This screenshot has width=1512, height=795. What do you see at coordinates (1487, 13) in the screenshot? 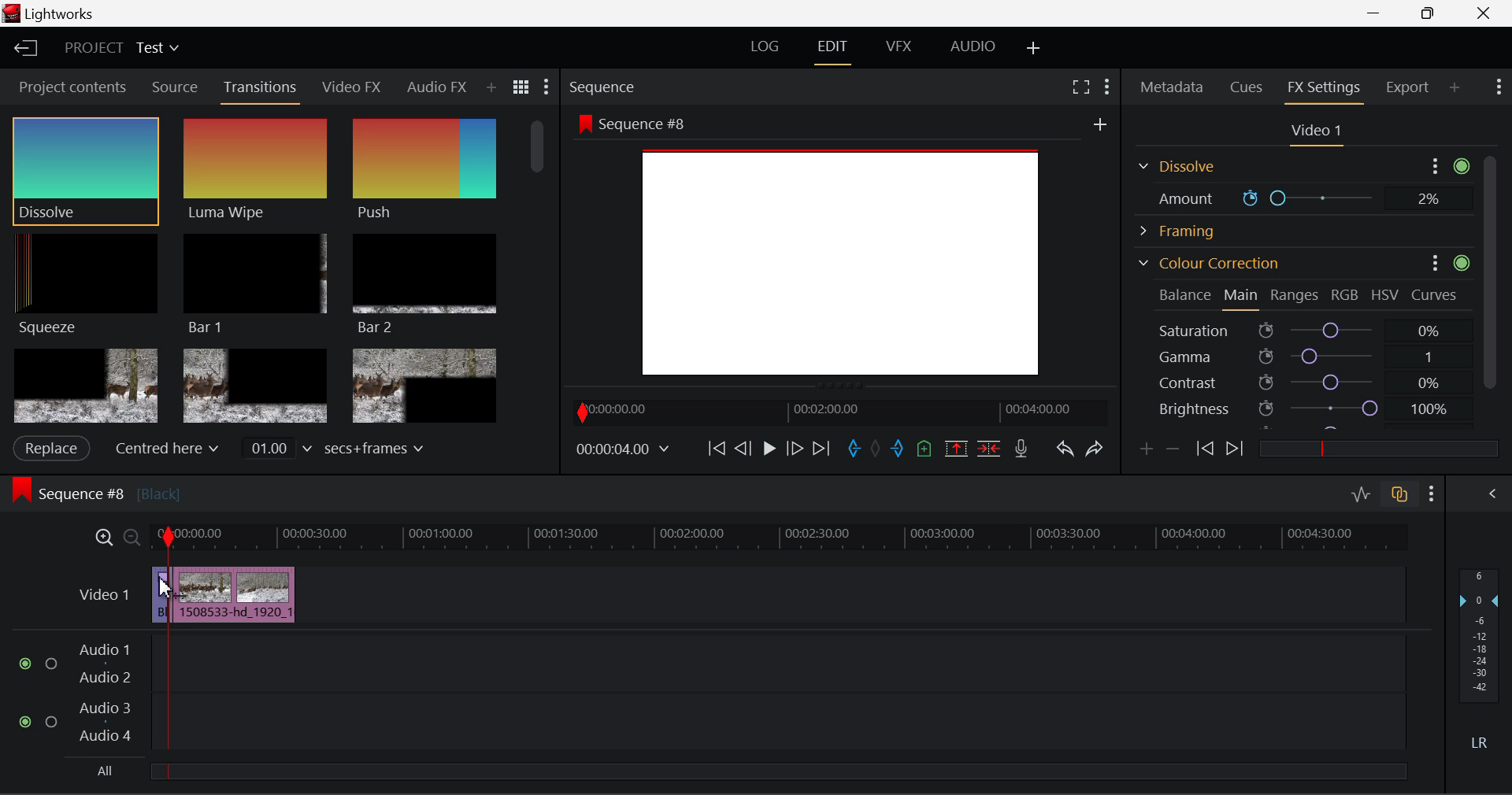
I see `Close` at bounding box center [1487, 13].